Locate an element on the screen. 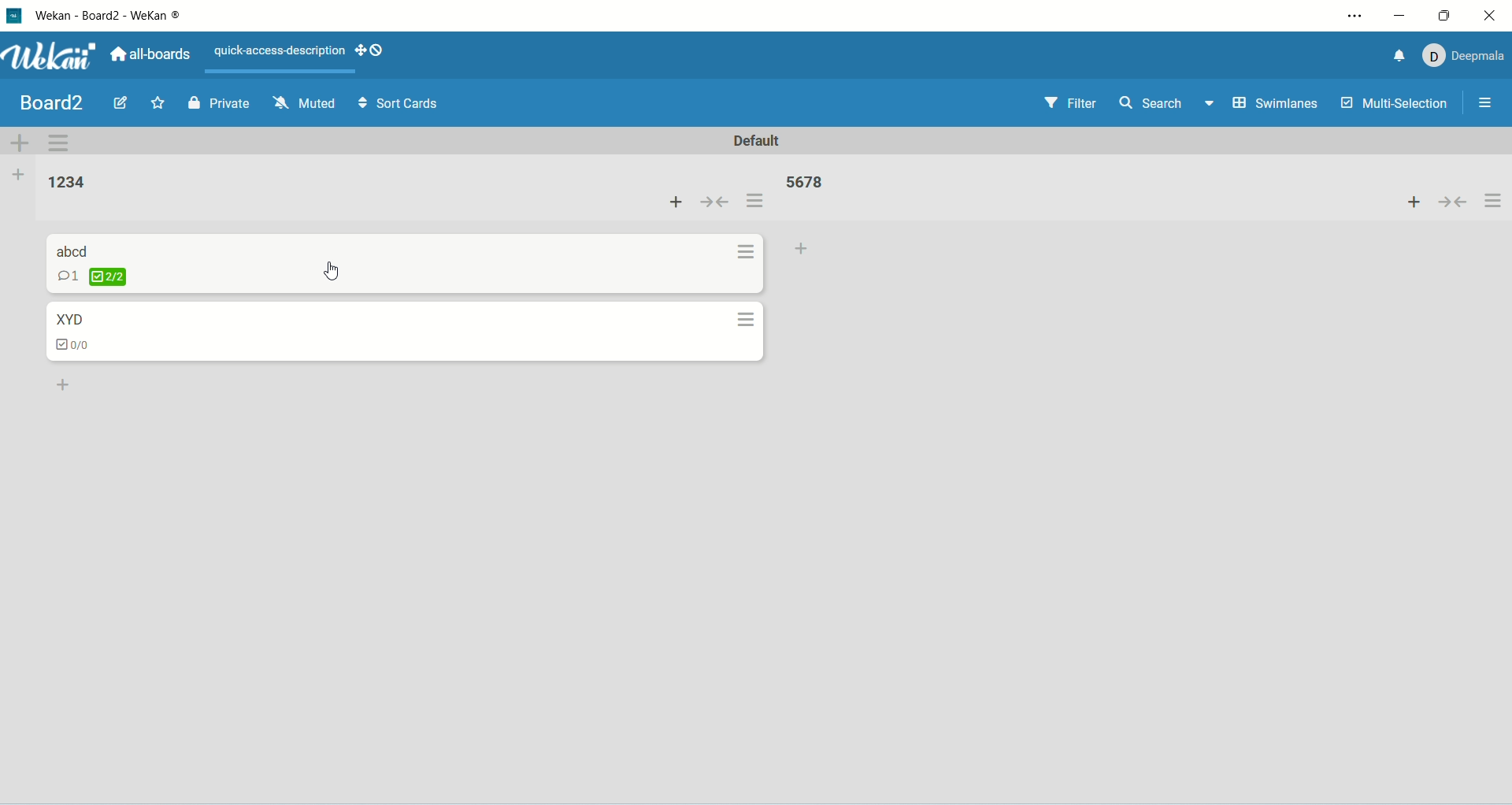 This screenshot has width=1512, height=805. options is located at coordinates (747, 254).